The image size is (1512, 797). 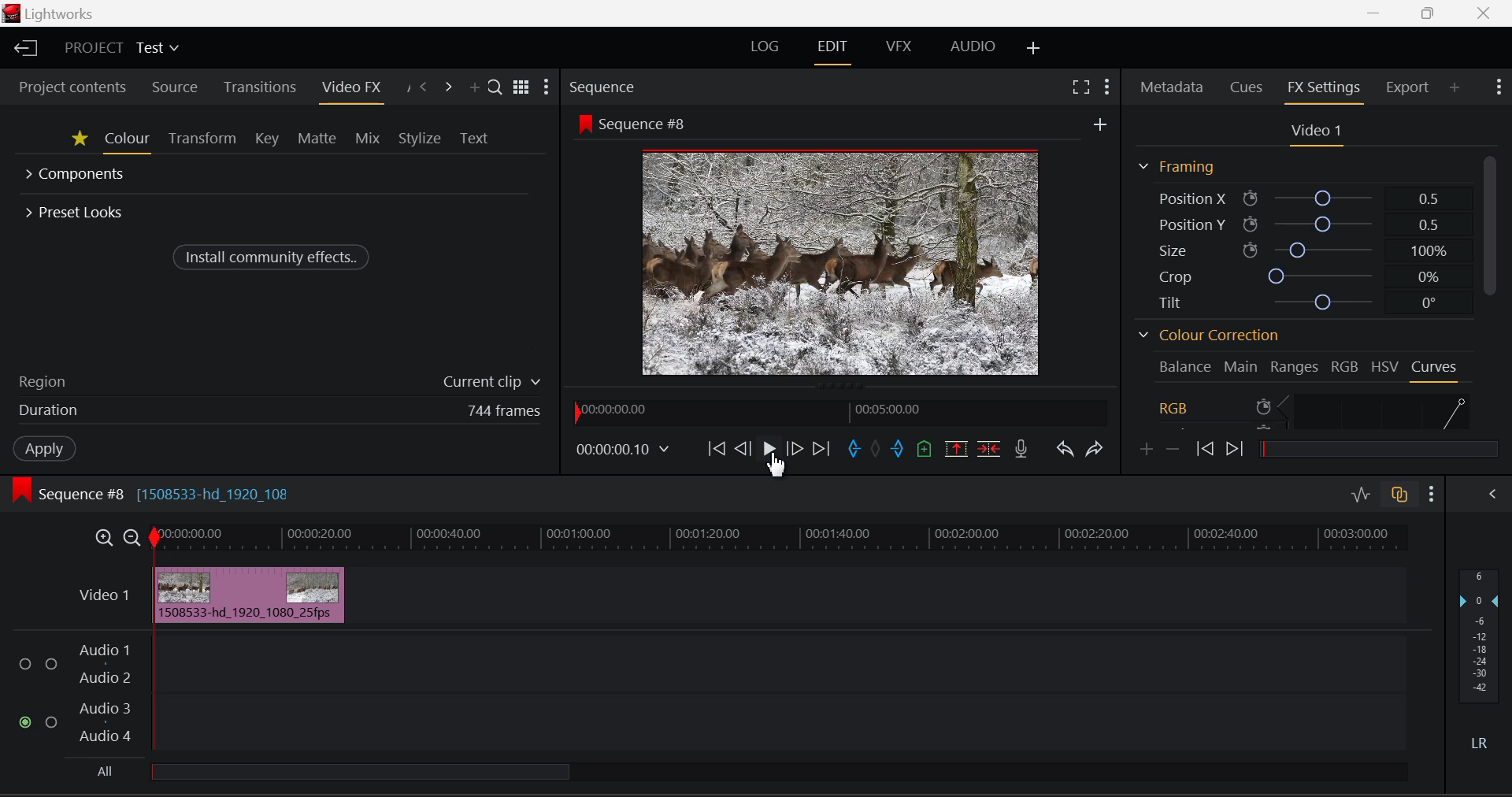 I want to click on Remove Marked Section, so click(x=958, y=448).